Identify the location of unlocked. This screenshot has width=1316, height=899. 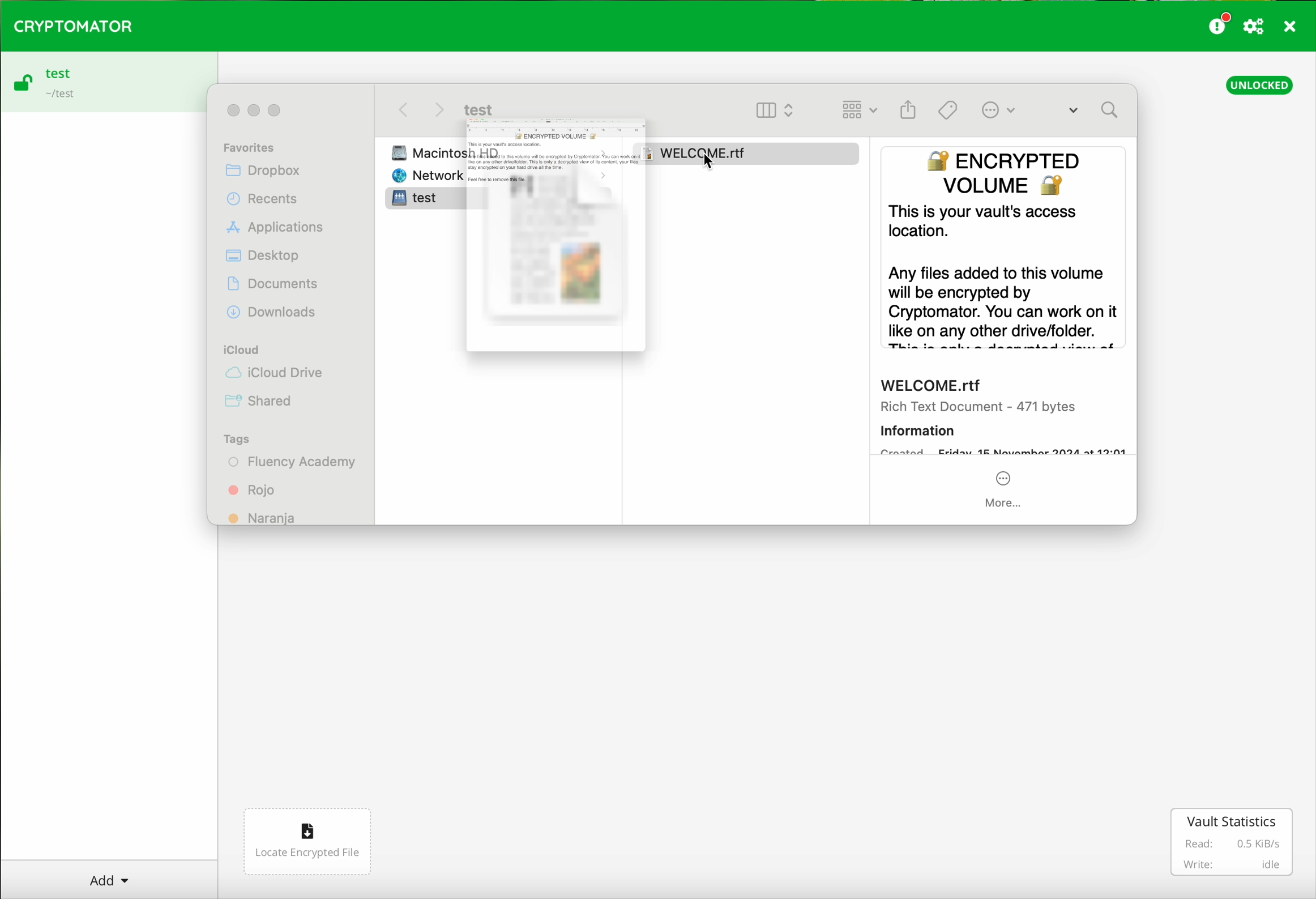
(1260, 84).